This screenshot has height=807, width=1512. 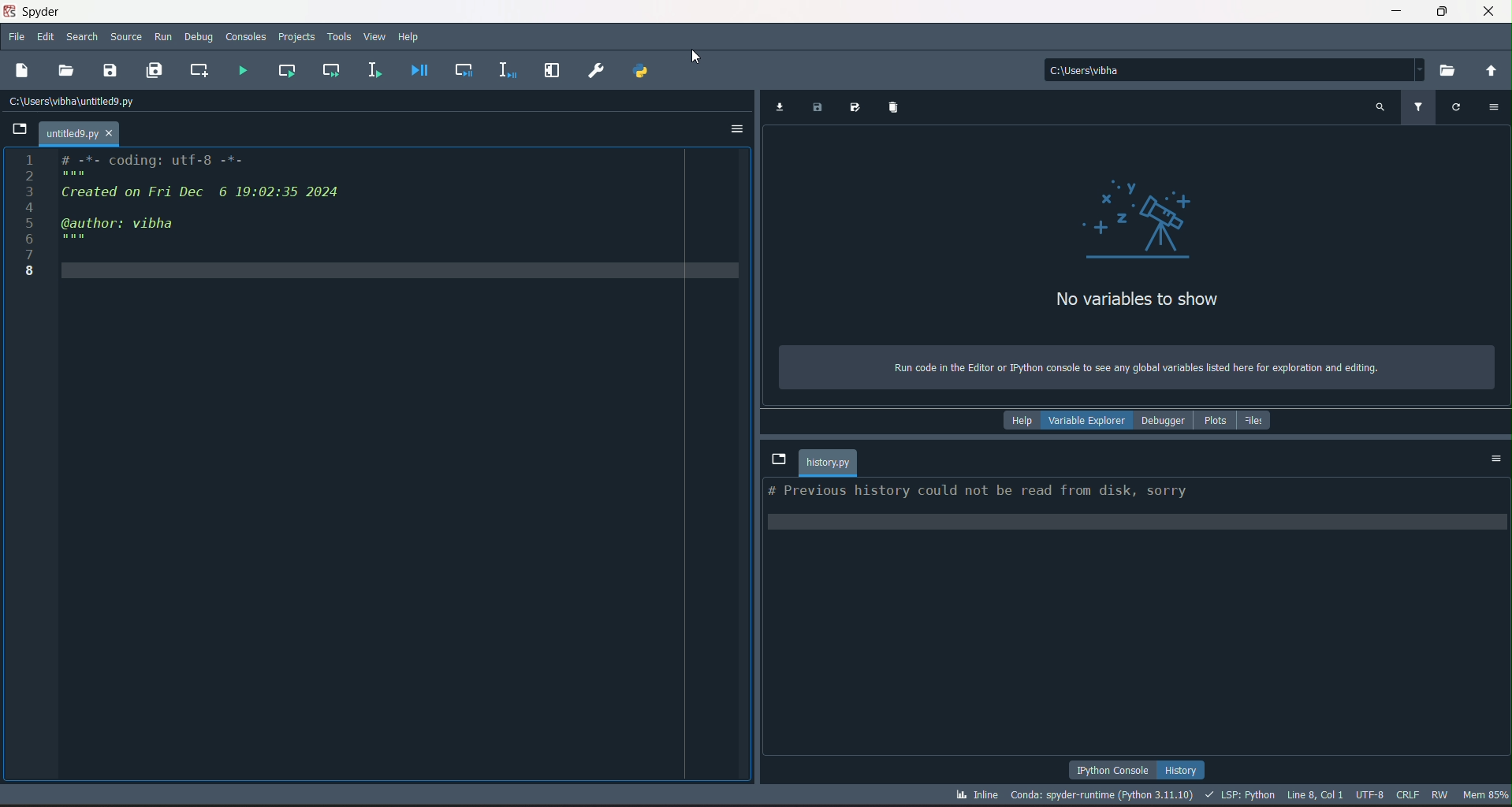 What do you see at coordinates (47, 38) in the screenshot?
I see `edit` at bounding box center [47, 38].